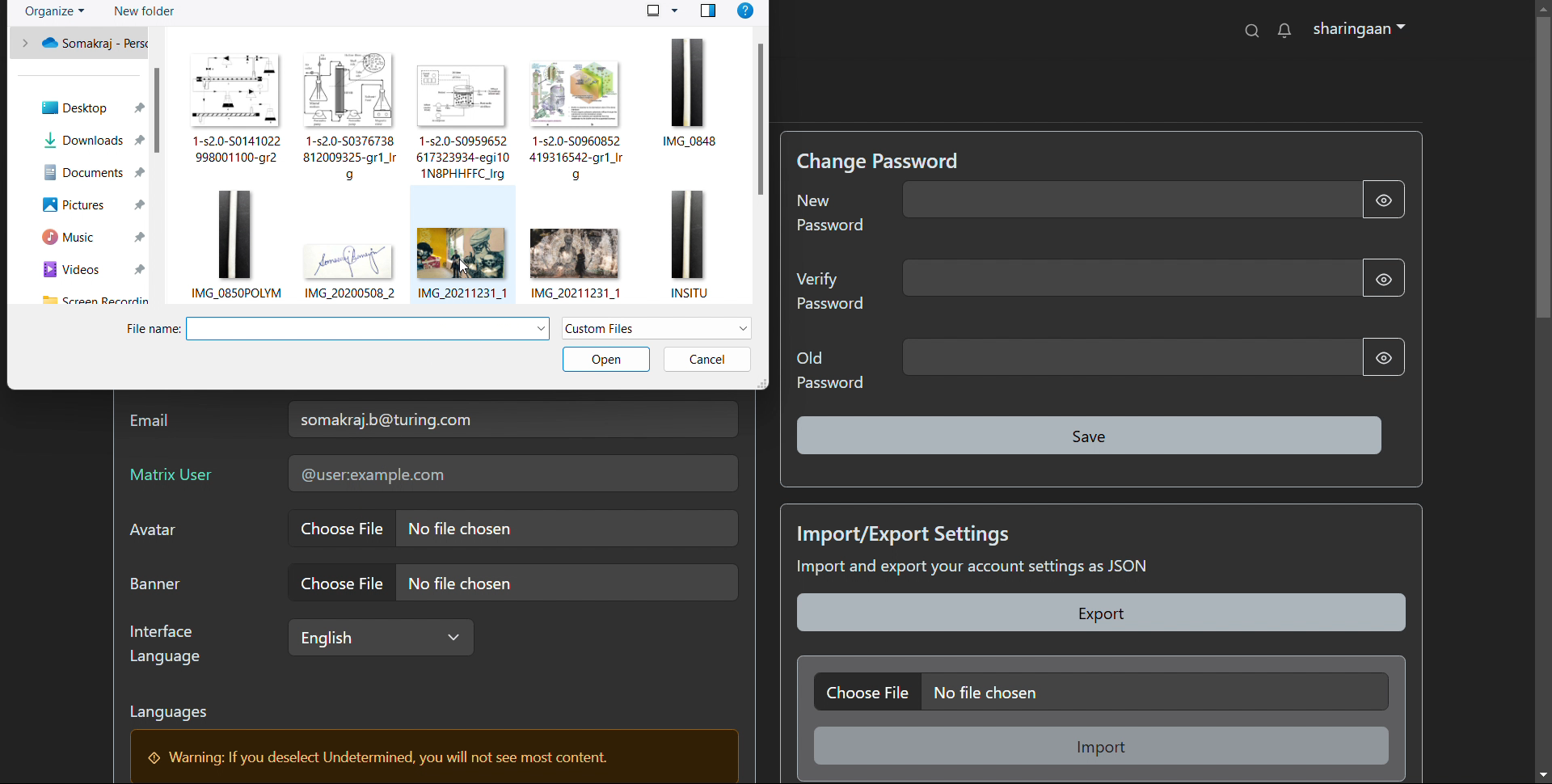 The height and width of the screenshot is (784, 1552). I want to click on Avatar, so click(162, 534).